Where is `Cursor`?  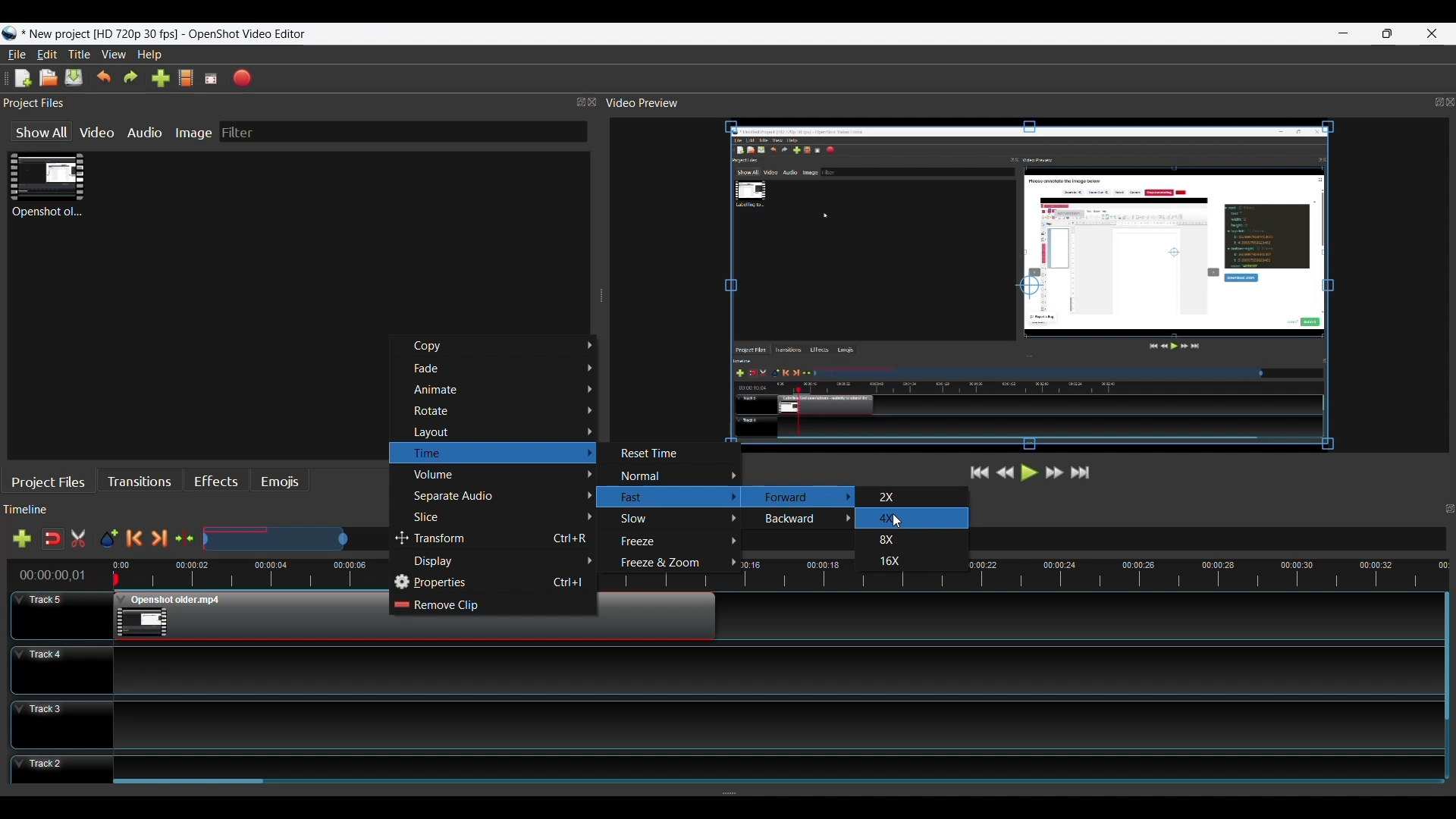
Cursor is located at coordinates (897, 521).